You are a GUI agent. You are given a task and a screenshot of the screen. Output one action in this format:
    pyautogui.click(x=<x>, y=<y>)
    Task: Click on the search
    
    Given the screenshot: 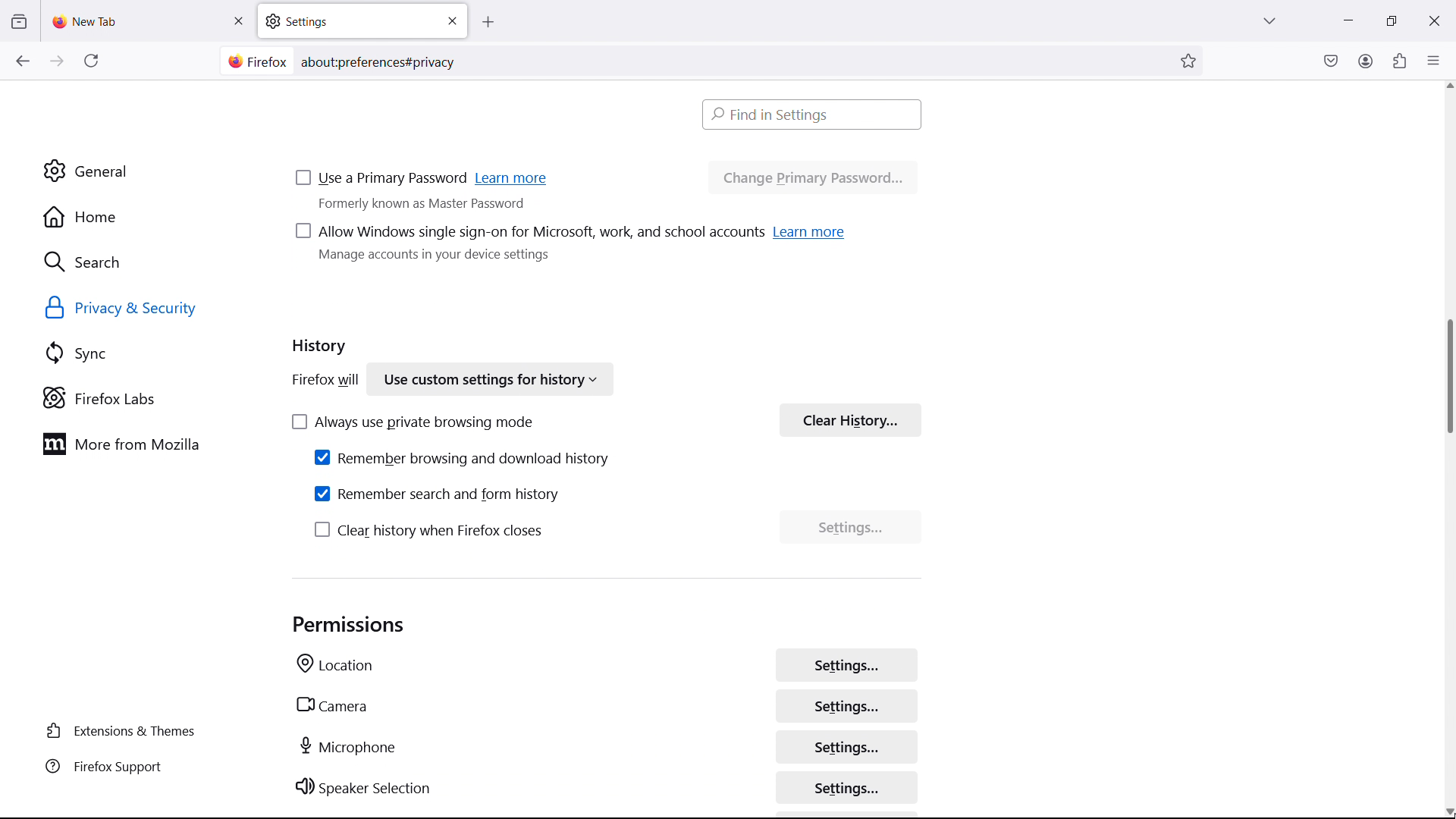 What is the action you would take?
    pyautogui.click(x=146, y=261)
    